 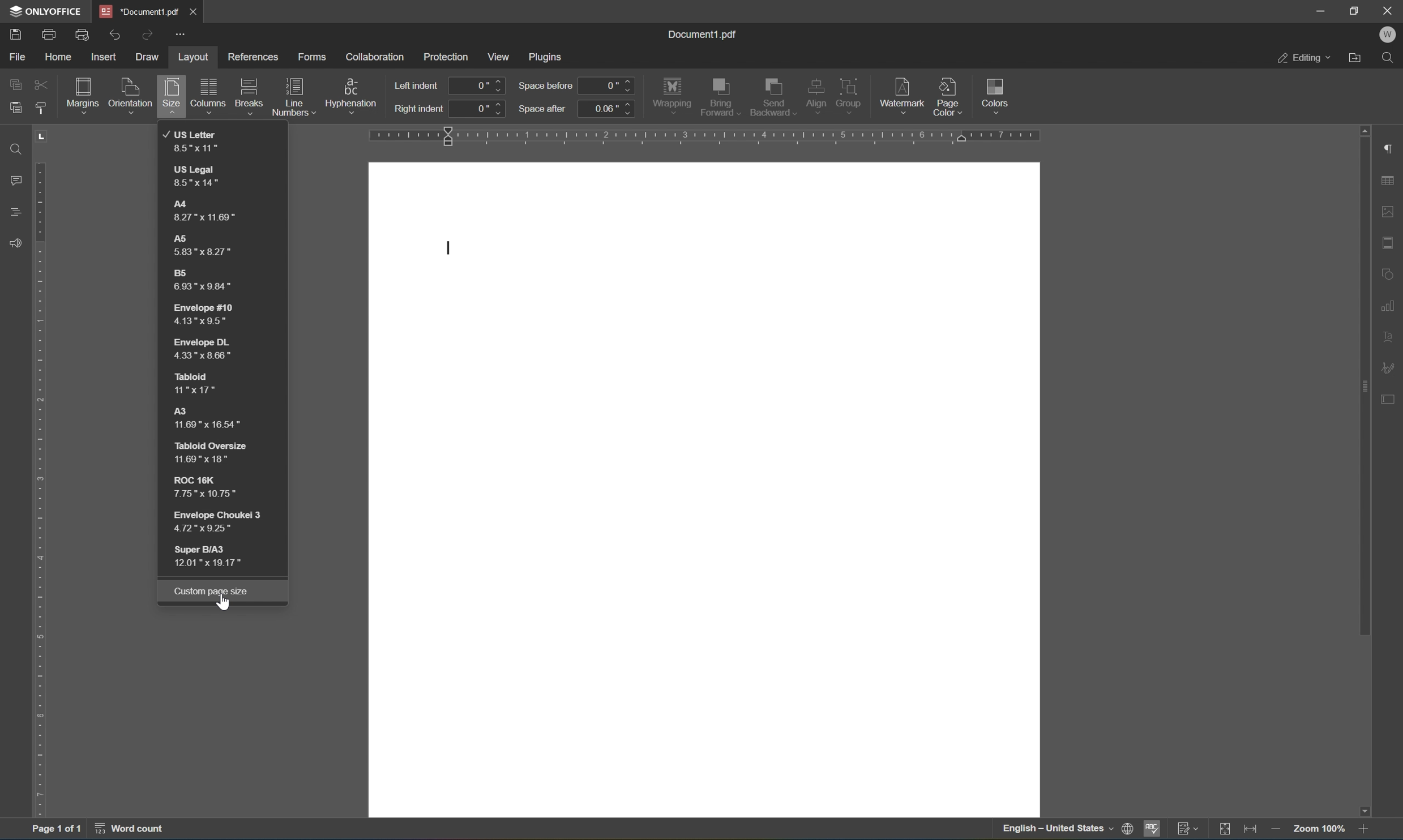 I want to click on space before, so click(x=545, y=86).